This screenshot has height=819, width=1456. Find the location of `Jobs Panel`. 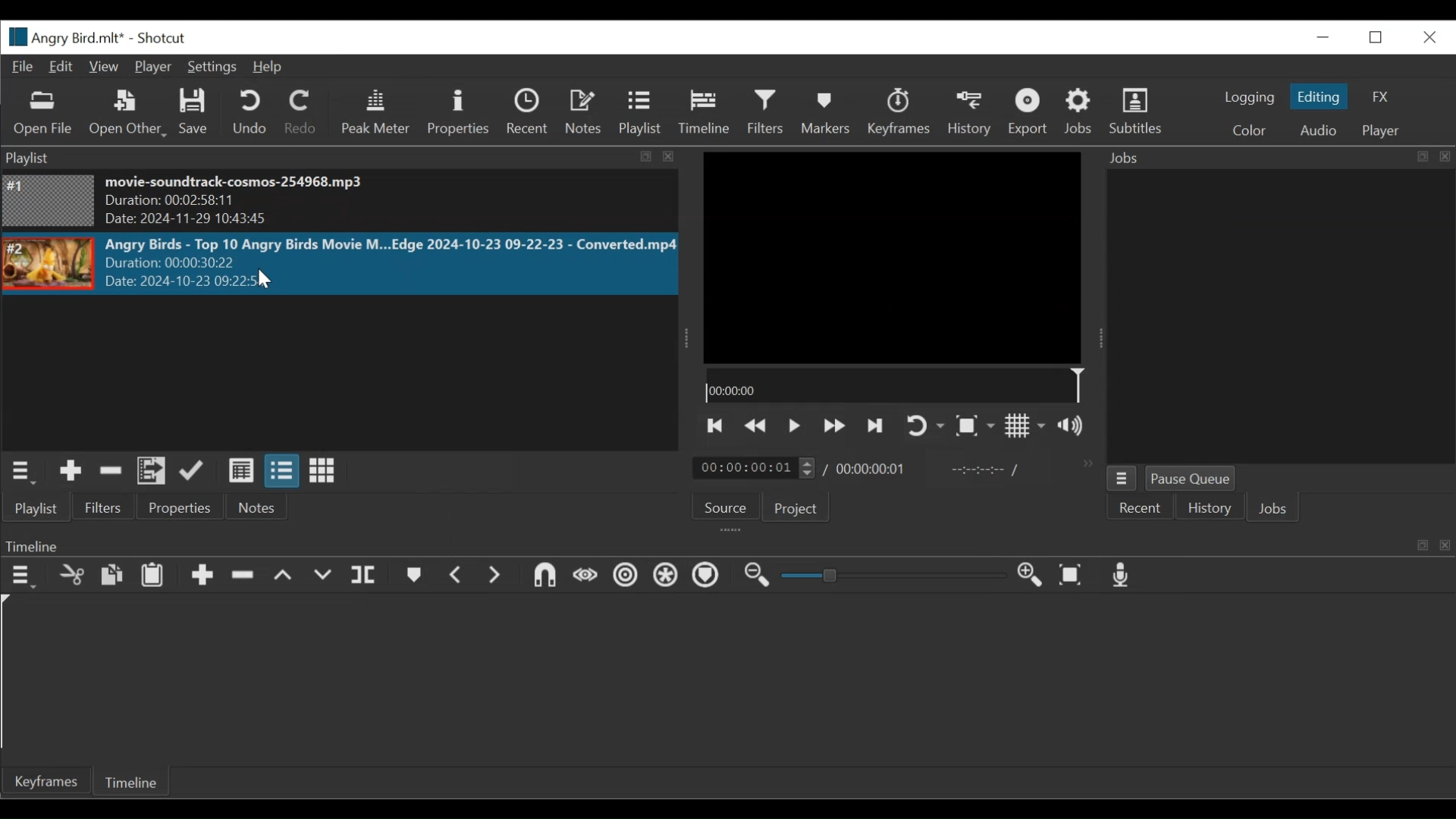

Jobs Panel is located at coordinates (1265, 317).